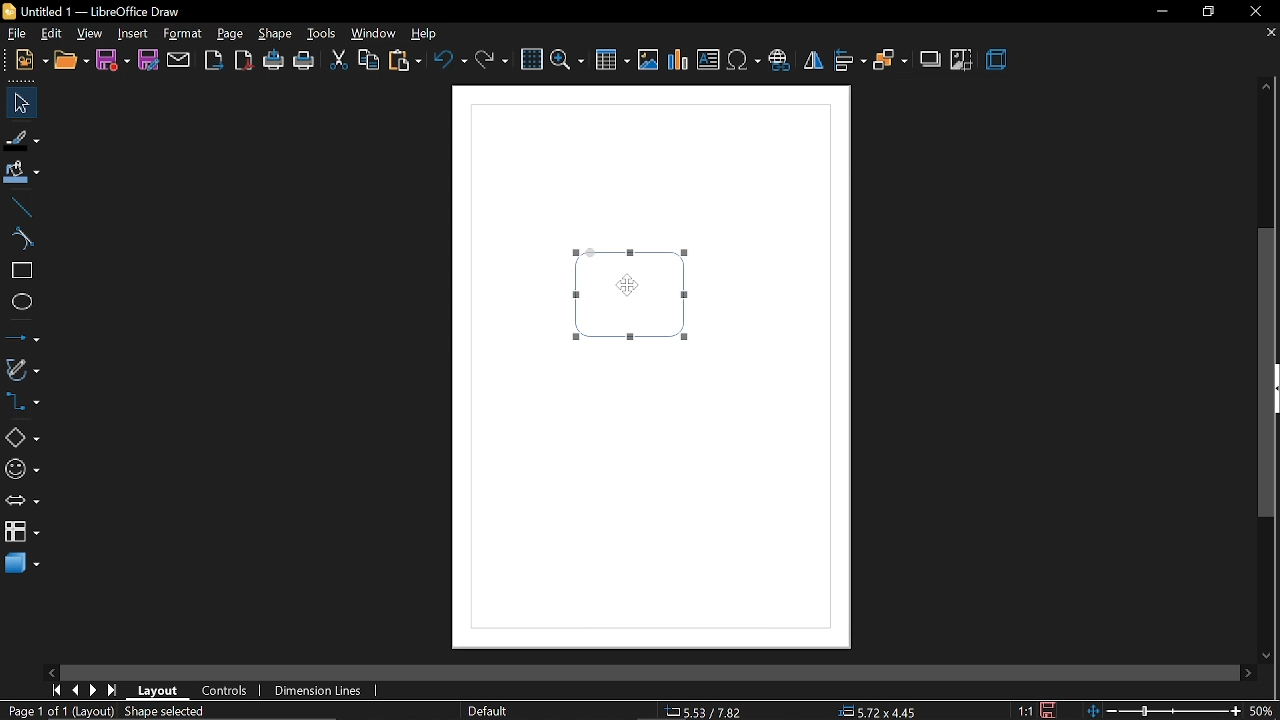  I want to click on save, so click(1048, 710).